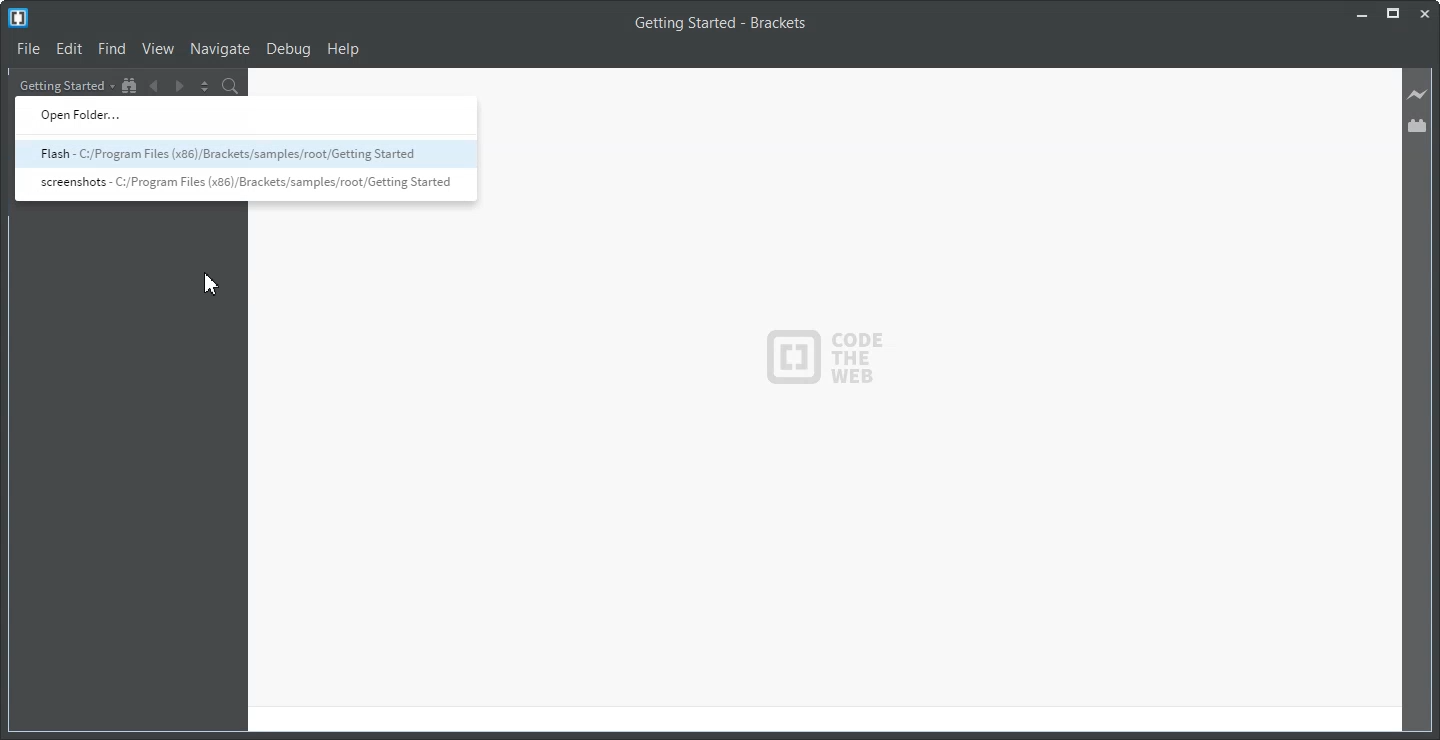 This screenshot has width=1440, height=740. Describe the element at coordinates (130, 86) in the screenshot. I see `Show in file tree` at that location.